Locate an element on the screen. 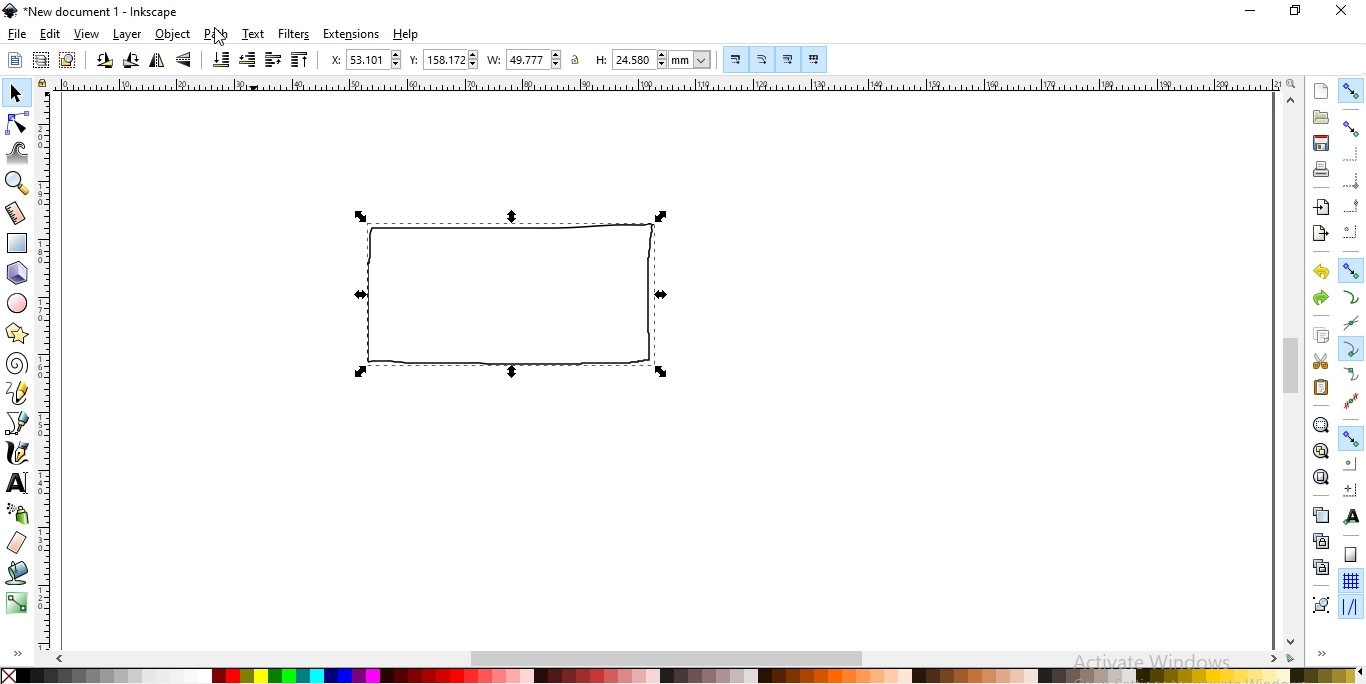 This screenshot has width=1366, height=684. new document 1 -Inkscape is located at coordinates (94, 11).